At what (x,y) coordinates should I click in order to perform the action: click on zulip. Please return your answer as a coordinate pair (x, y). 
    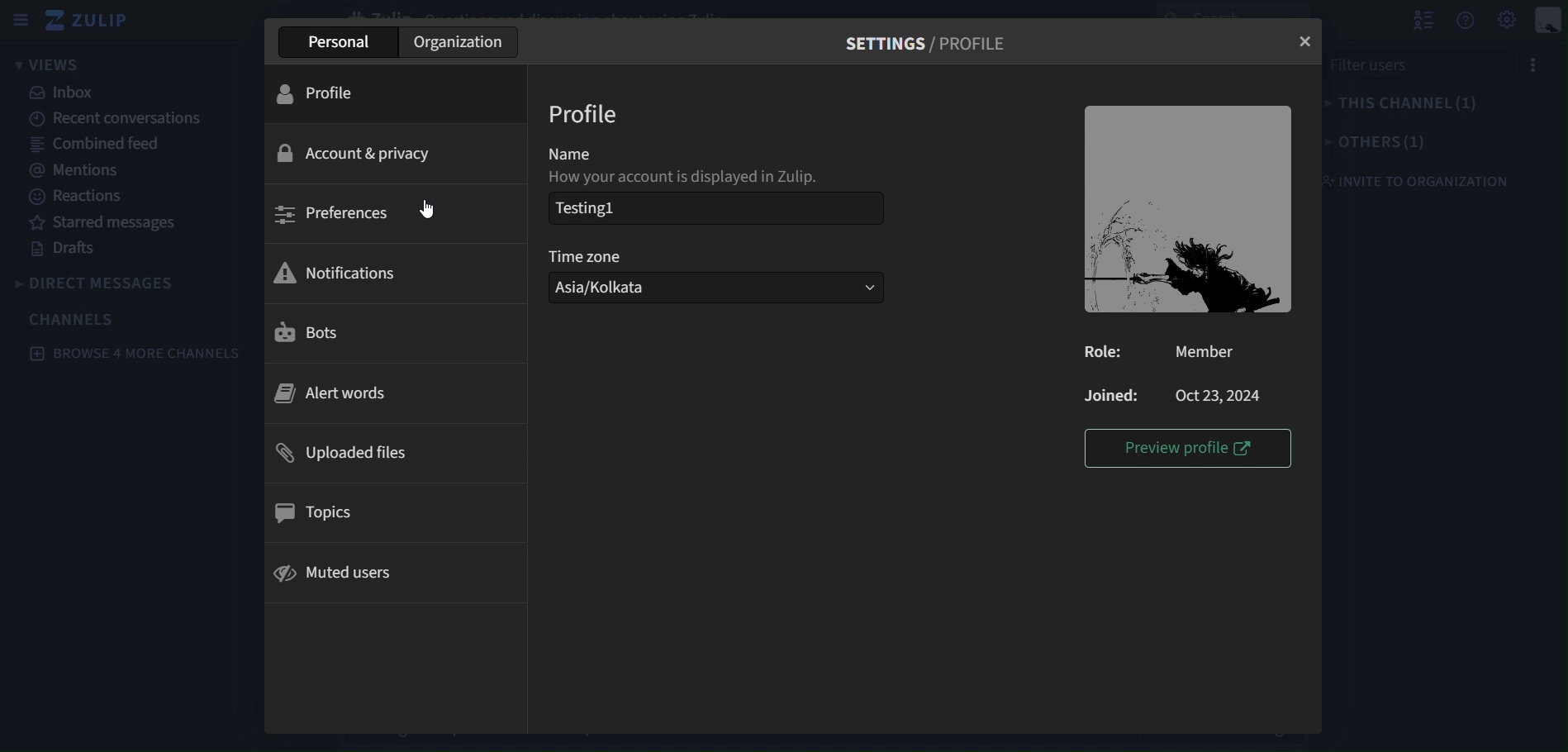
    Looking at the image, I should click on (89, 18).